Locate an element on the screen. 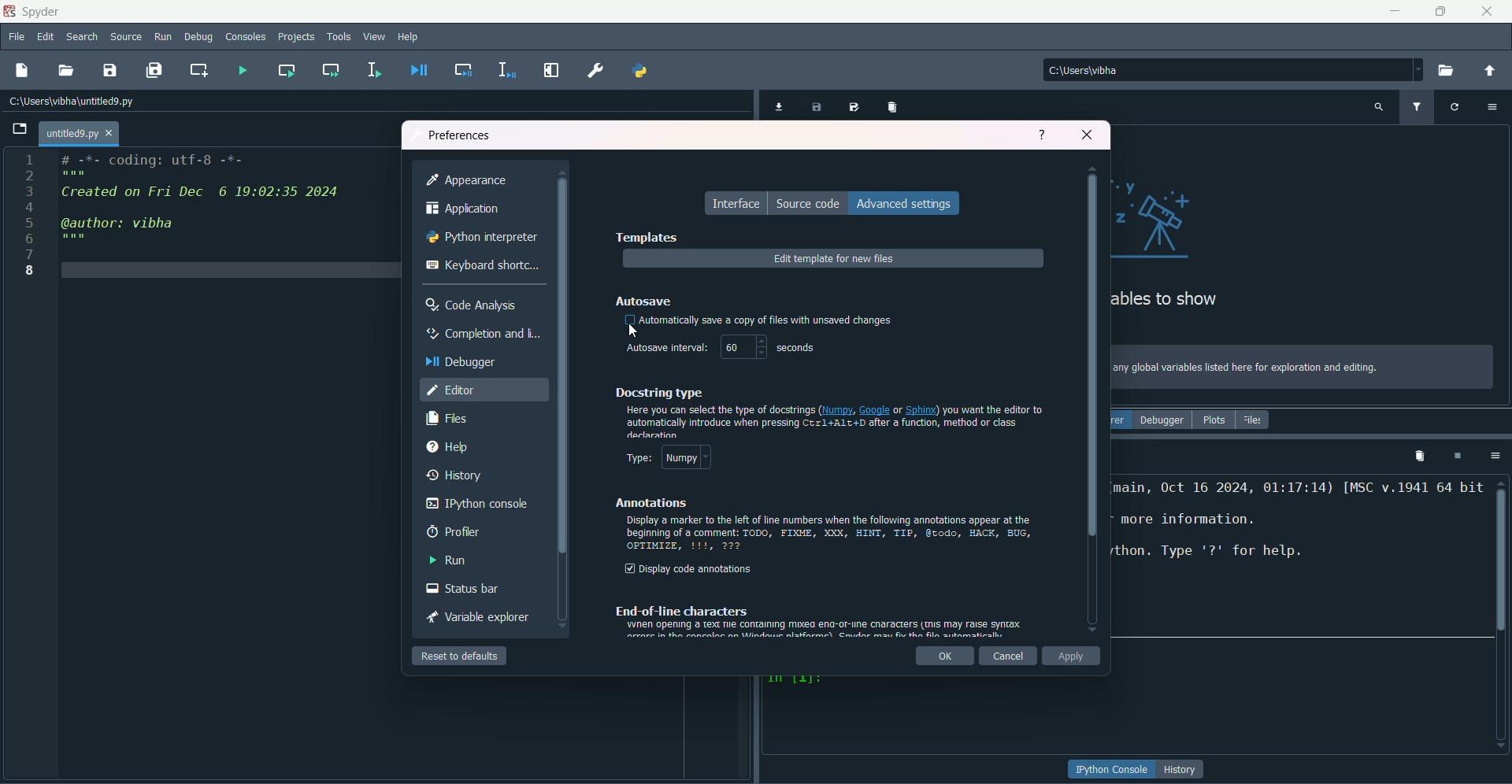  cancel is located at coordinates (1009, 657).